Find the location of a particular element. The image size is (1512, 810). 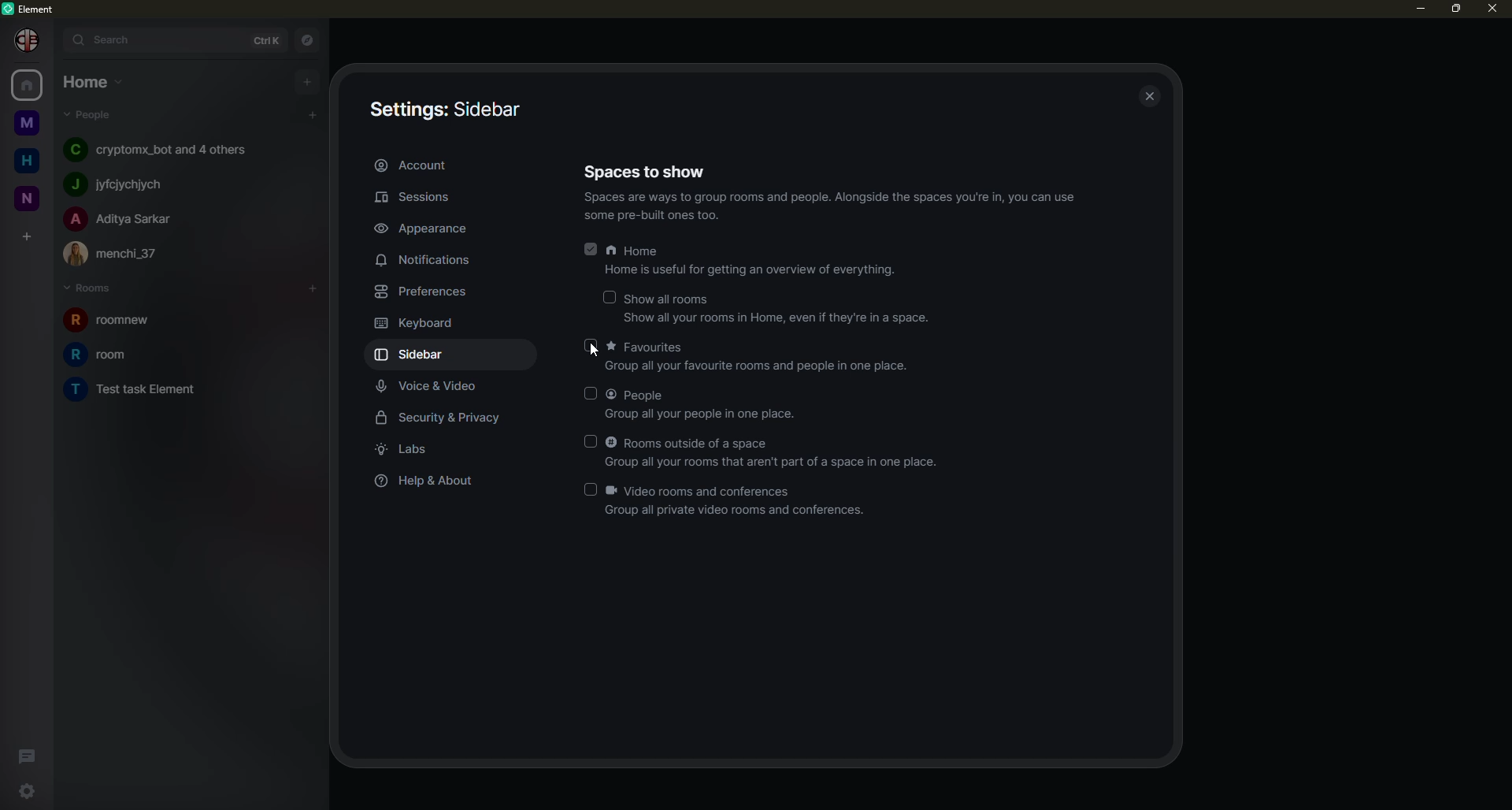

home is located at coordinates (91, 83).